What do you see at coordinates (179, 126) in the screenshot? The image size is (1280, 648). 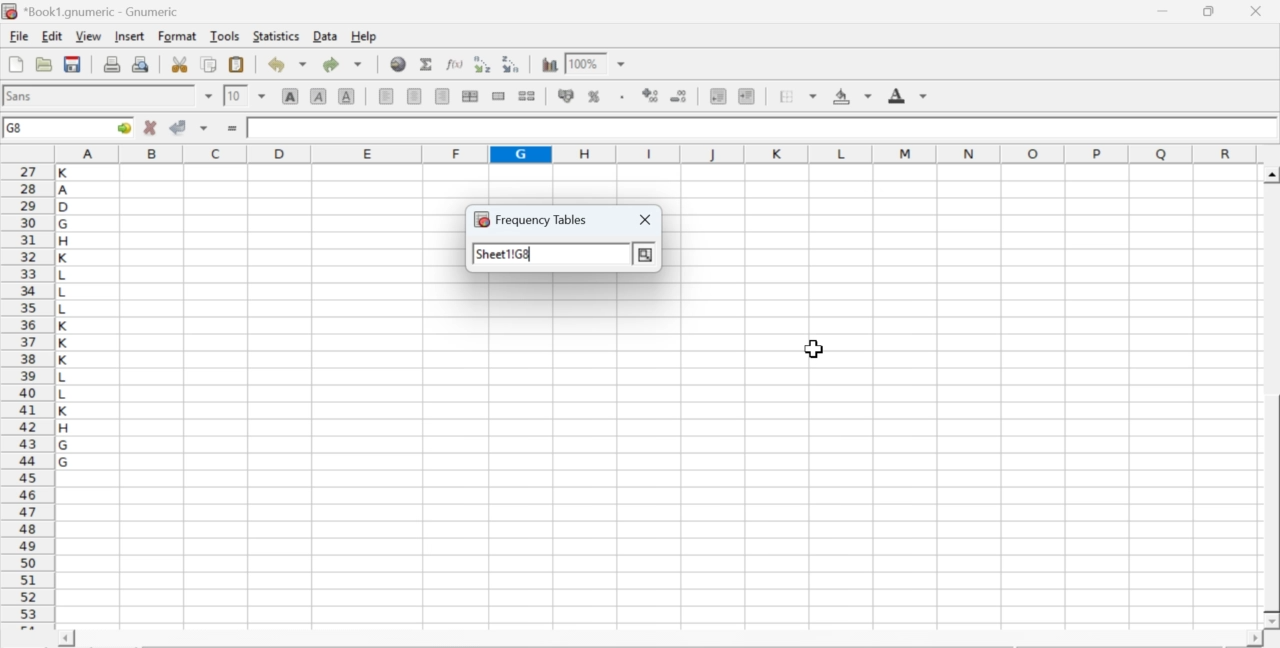 I see `accept changes` at bounding box center [179, 126].